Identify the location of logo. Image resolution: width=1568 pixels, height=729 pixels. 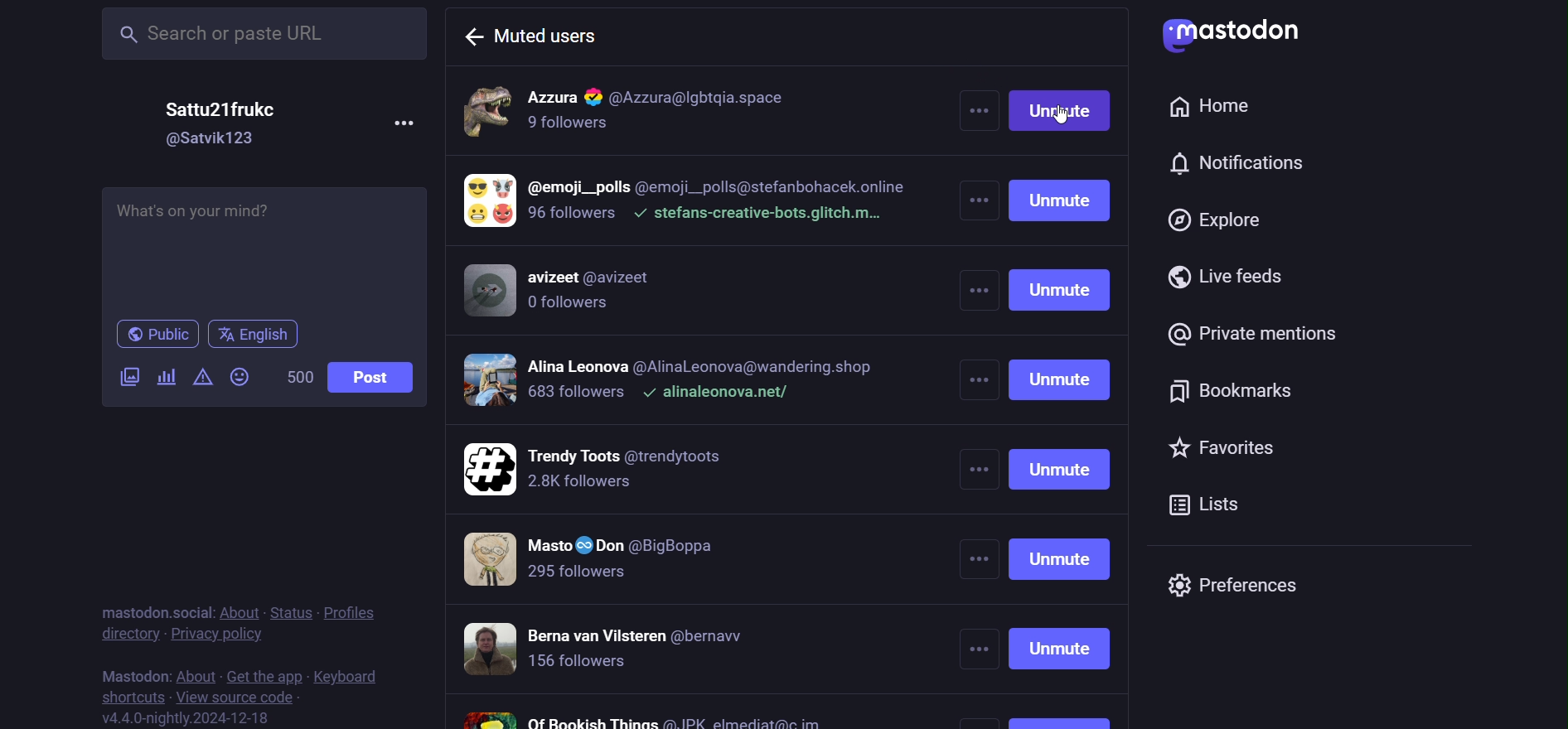
(1236, 36).